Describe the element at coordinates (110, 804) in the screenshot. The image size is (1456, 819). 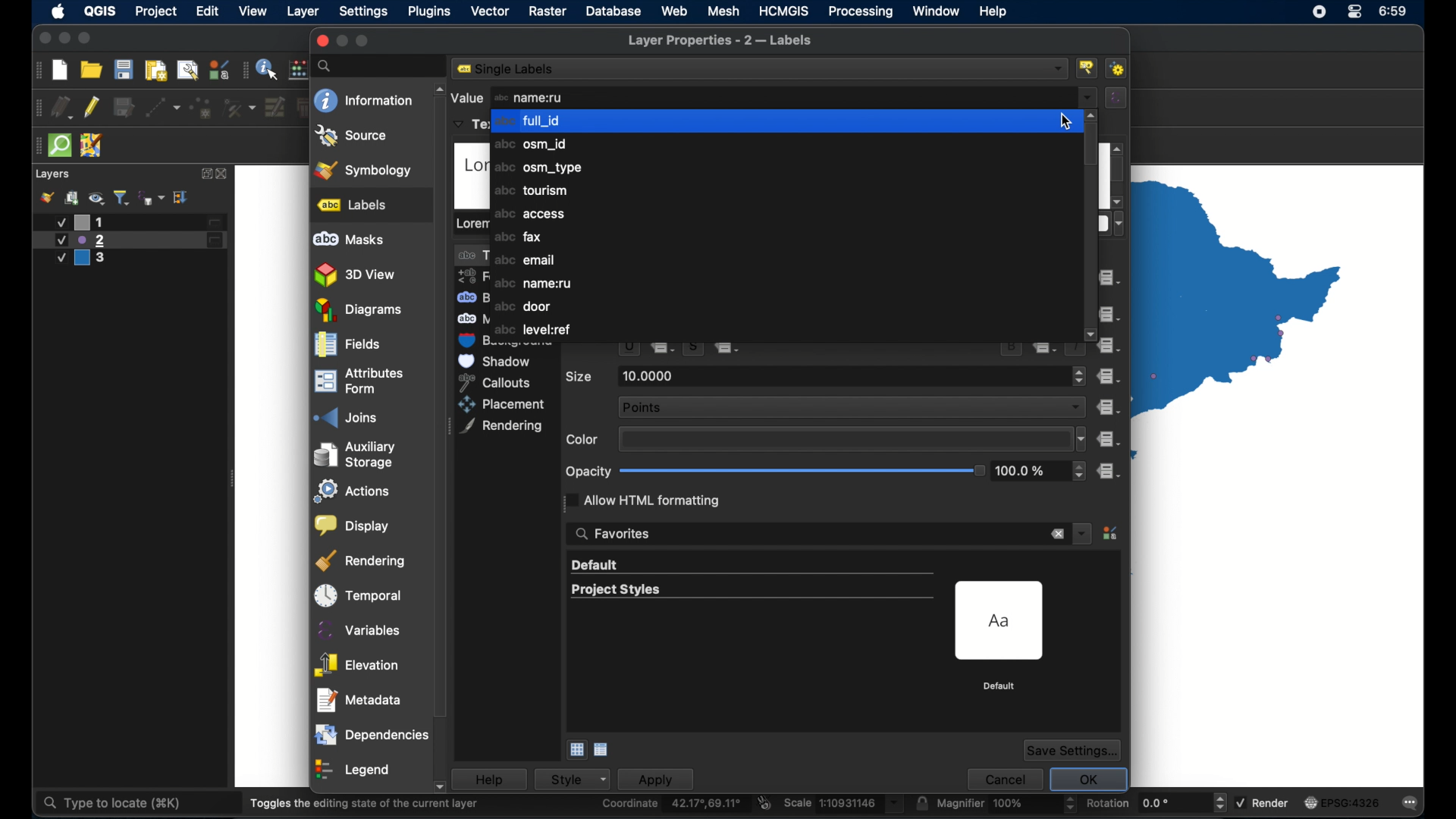
I see `type to locate` at that location.